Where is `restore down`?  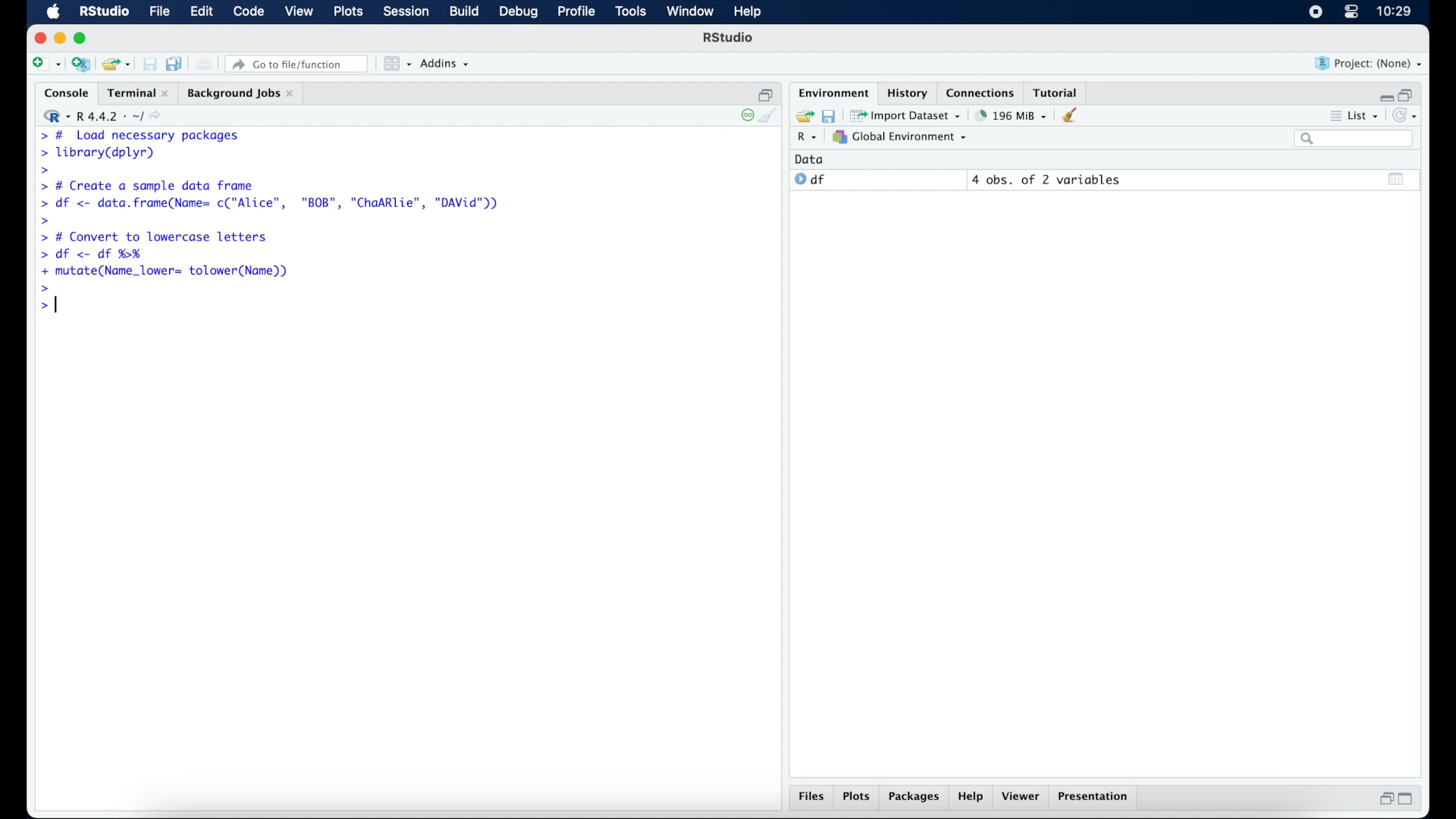
restore down is located at coordinates (1409, 93).